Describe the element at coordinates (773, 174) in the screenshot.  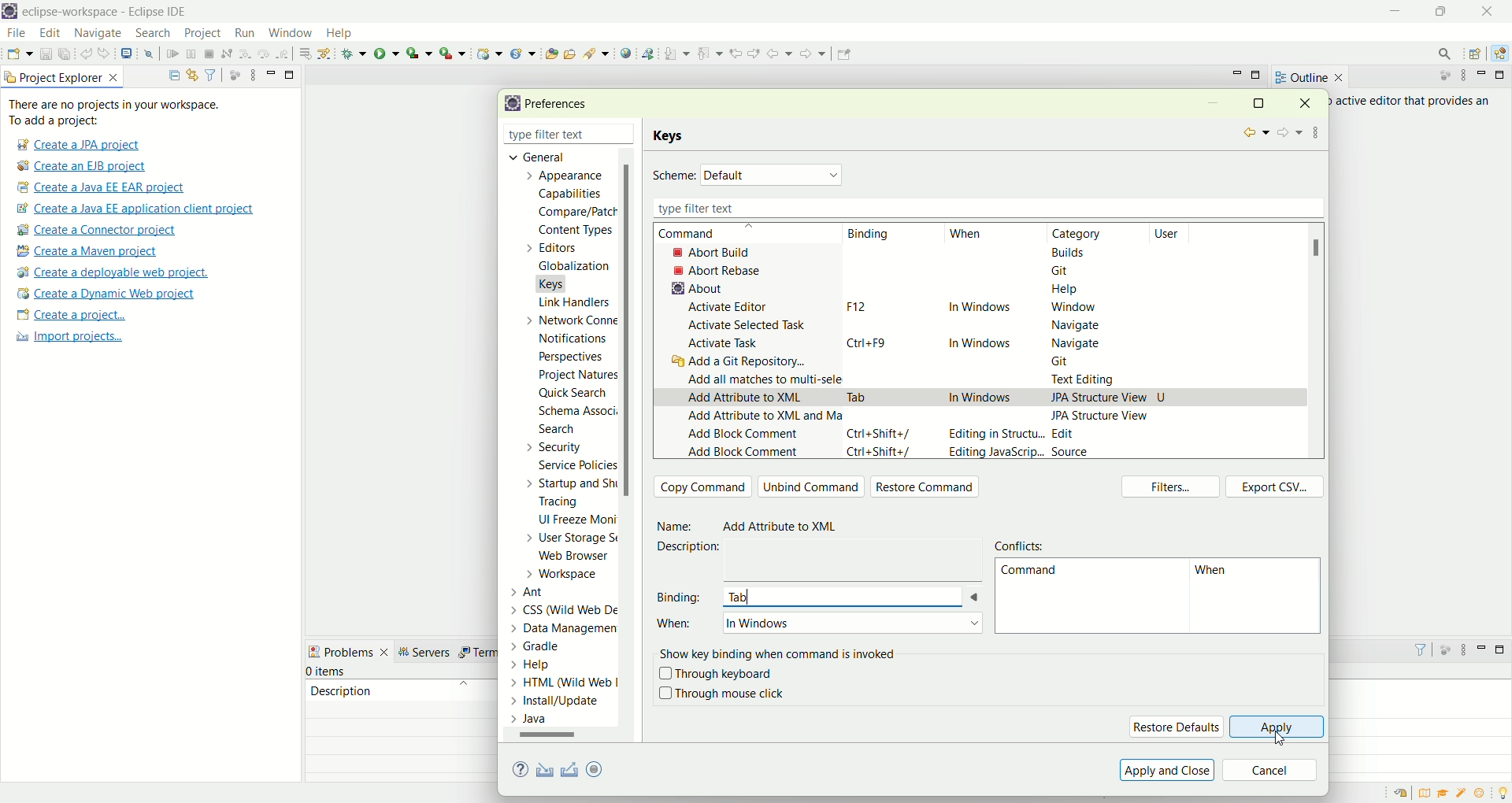
I see `Default` at that location.